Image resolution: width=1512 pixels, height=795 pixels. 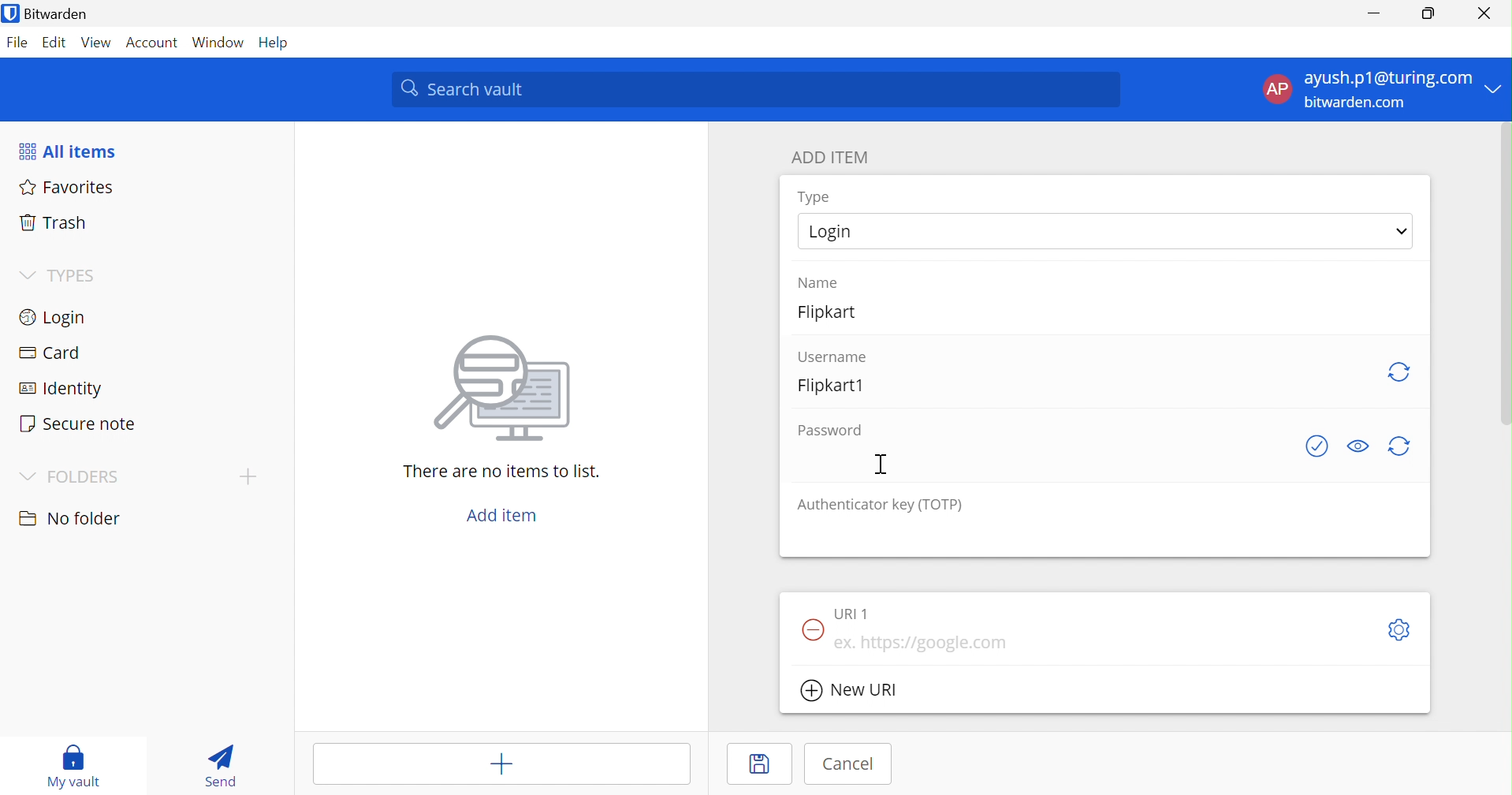 What do you see at coordinates (503, 473) in the screenshot?
I see `There are no items to list.` at bounding box center [503, 473].